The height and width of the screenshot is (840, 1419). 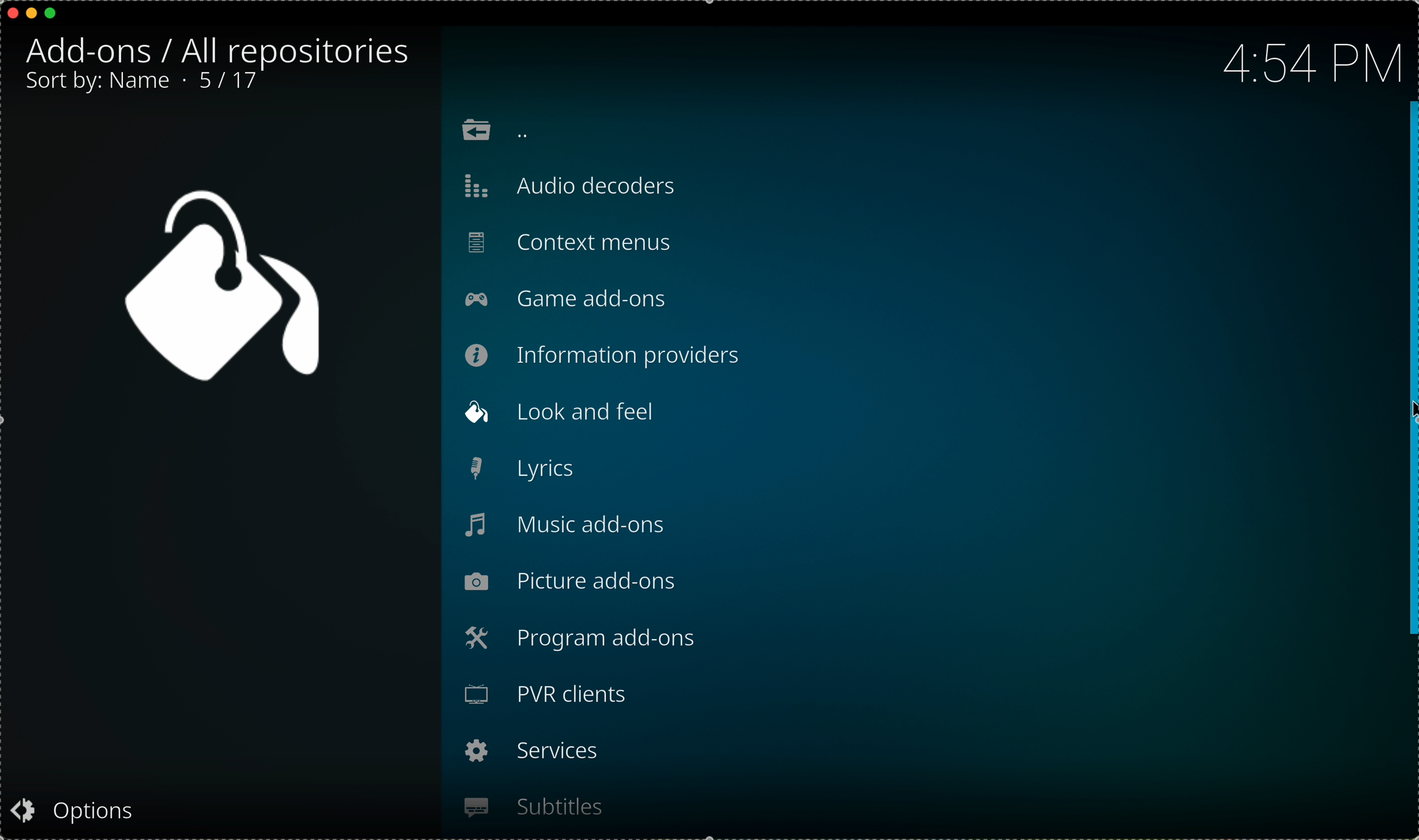 What do you see at coordinates (566, 413) in the screenshot?
I see `look and feel` at bounding box center [566, 413].